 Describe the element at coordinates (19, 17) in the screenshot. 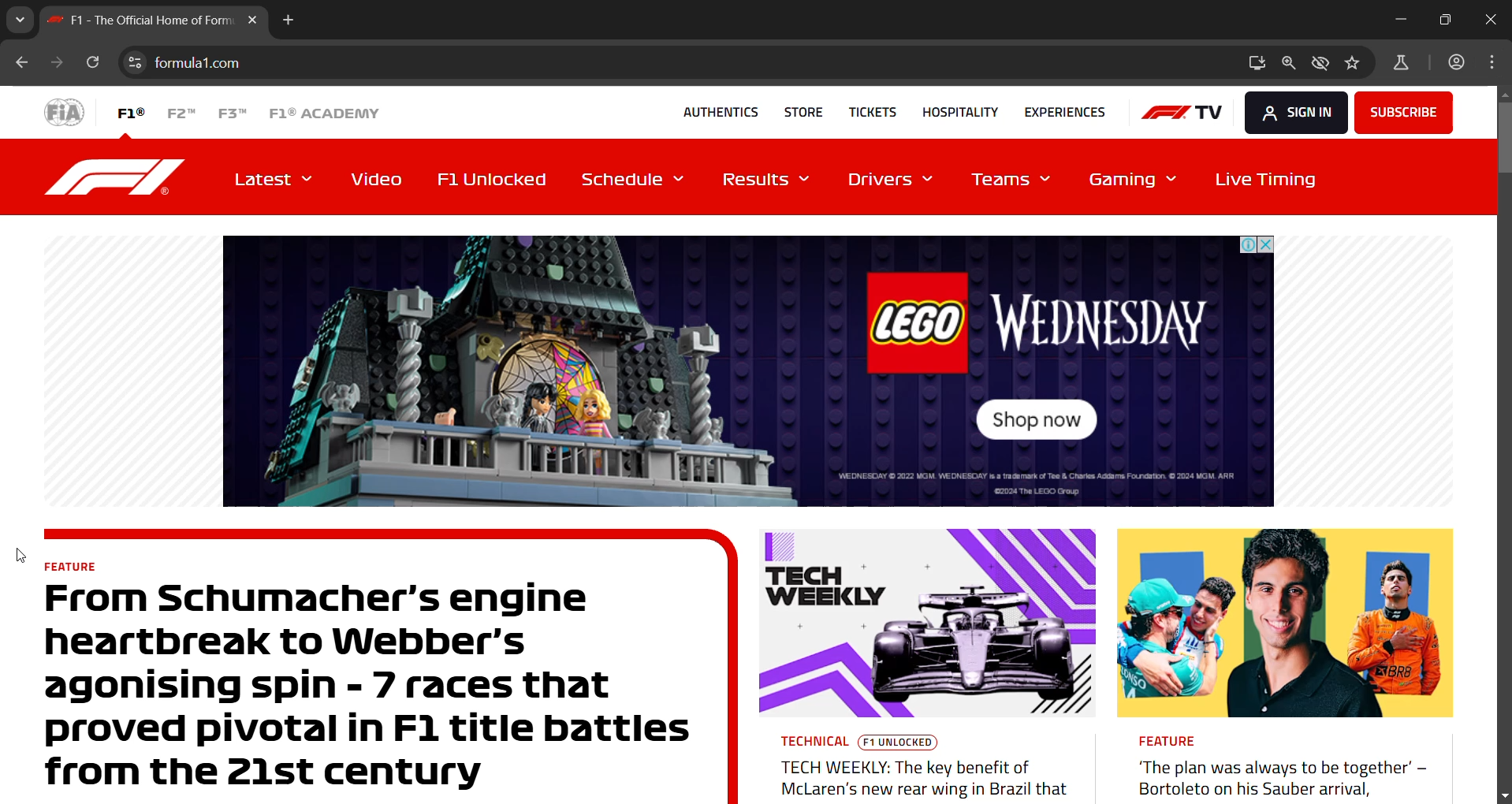

I see `search tabs` at that location.